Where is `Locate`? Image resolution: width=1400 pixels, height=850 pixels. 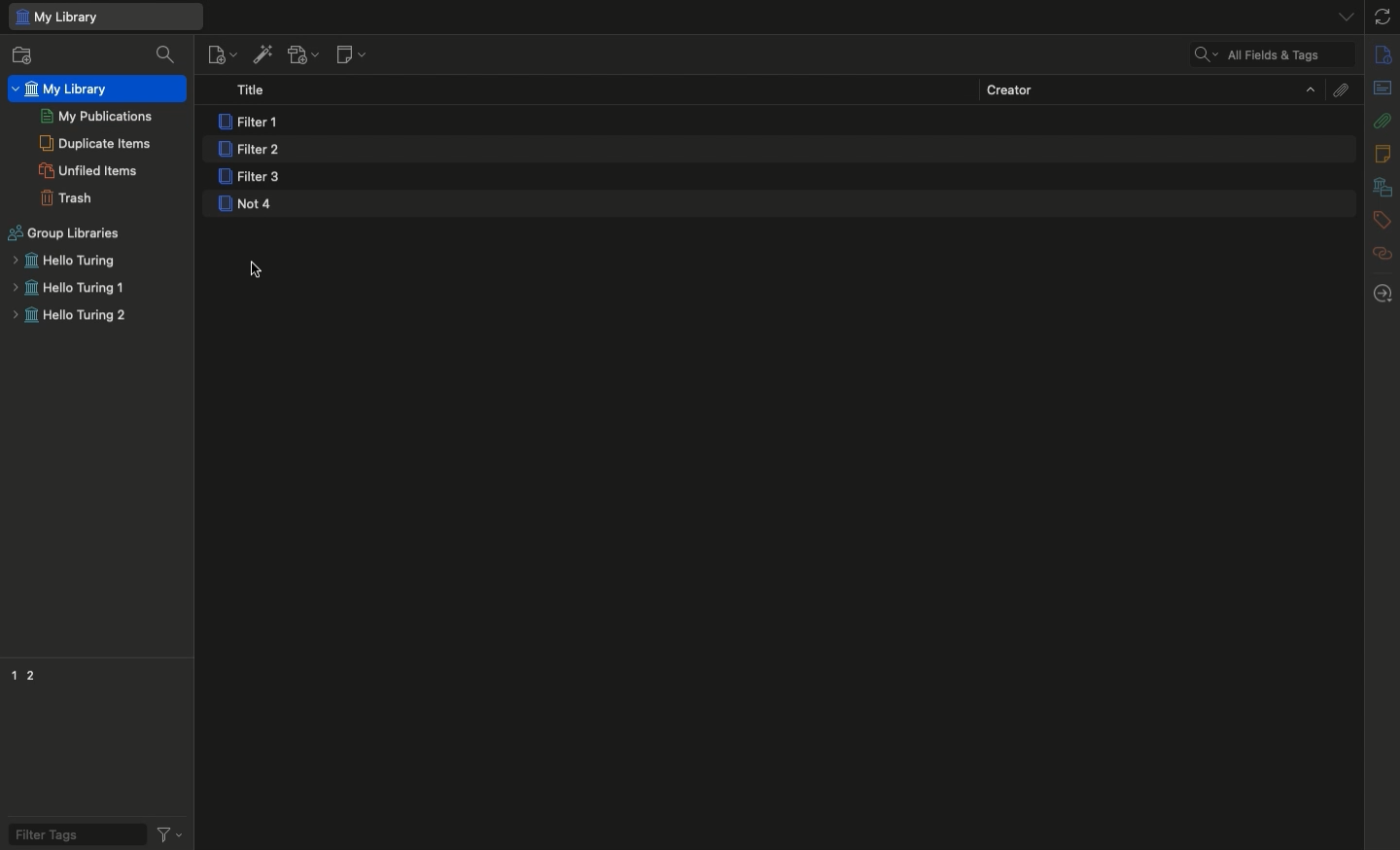 Locate is located at coordinates (1382, 294).